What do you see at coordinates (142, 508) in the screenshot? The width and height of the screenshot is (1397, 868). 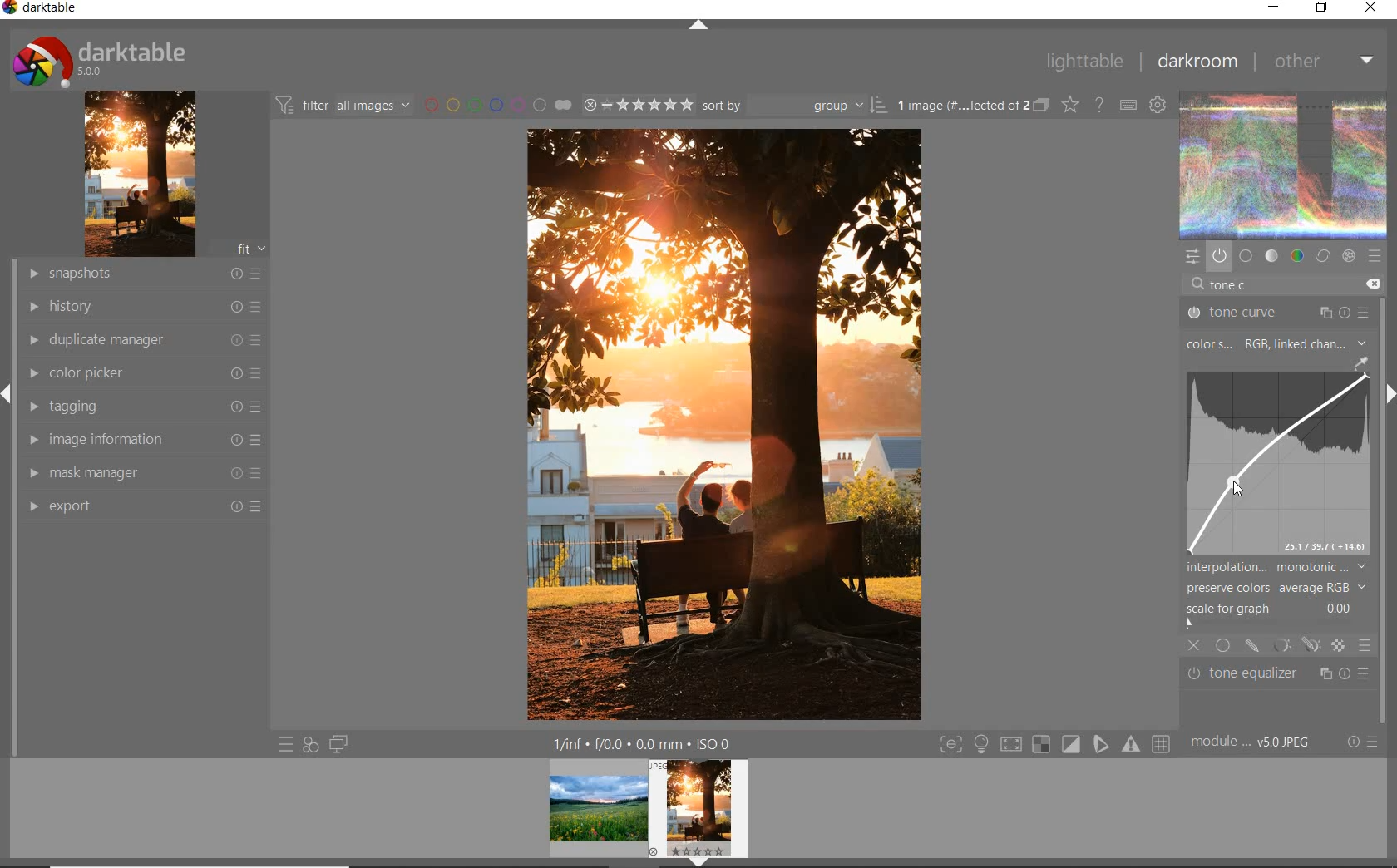 I see `export` at bounding box center [142, 508].